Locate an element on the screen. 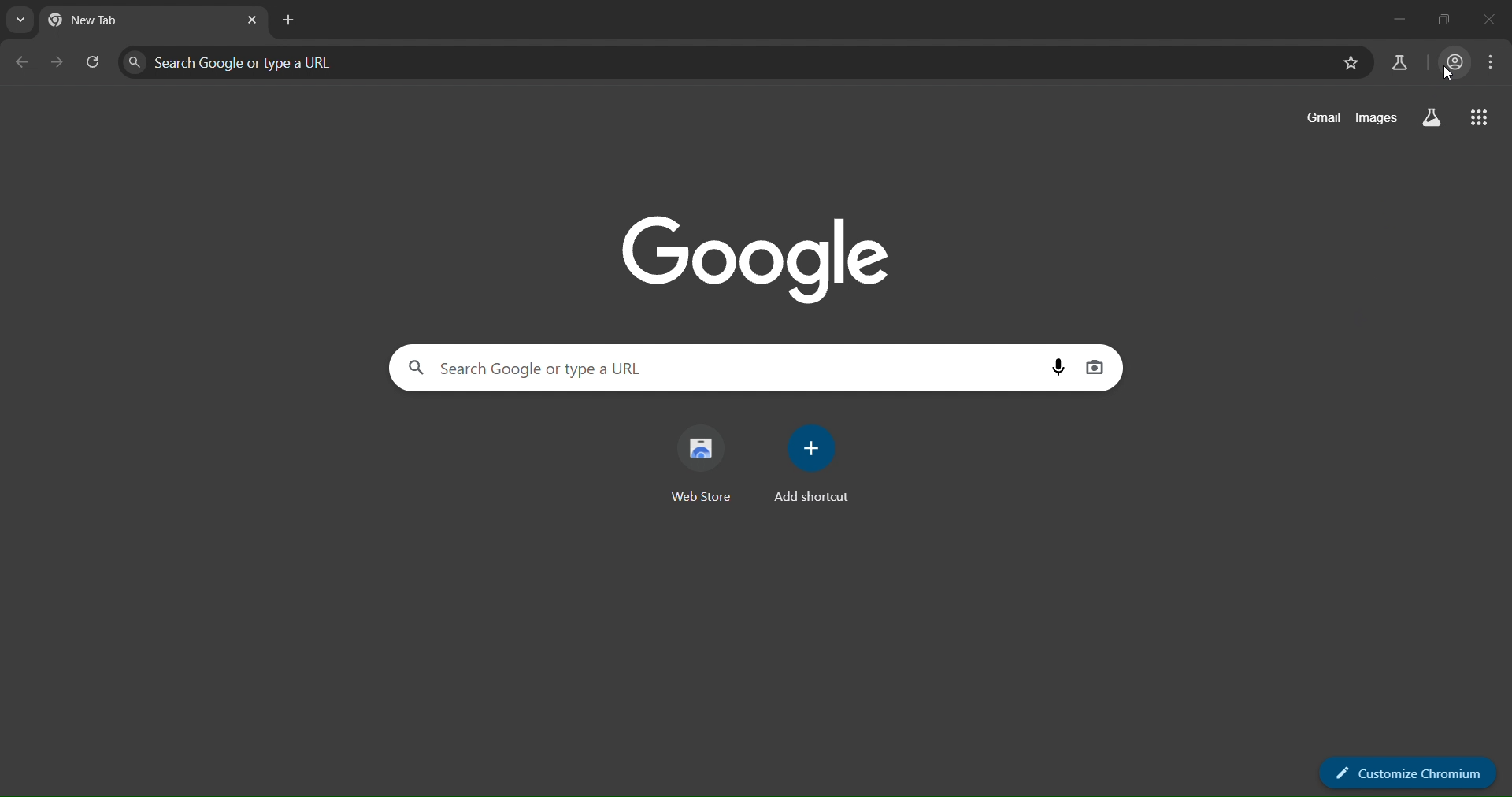  google is located at coordinates (762, 262).